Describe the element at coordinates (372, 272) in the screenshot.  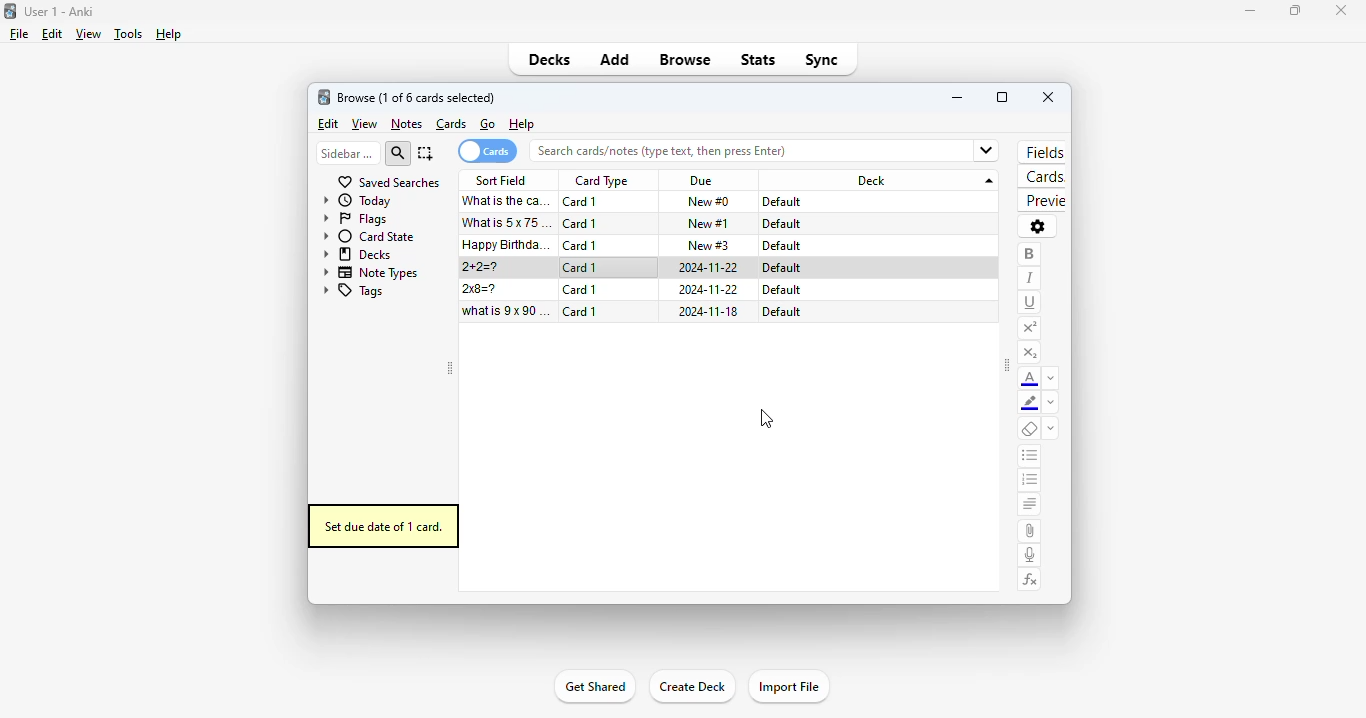
I see `note types` at that location.